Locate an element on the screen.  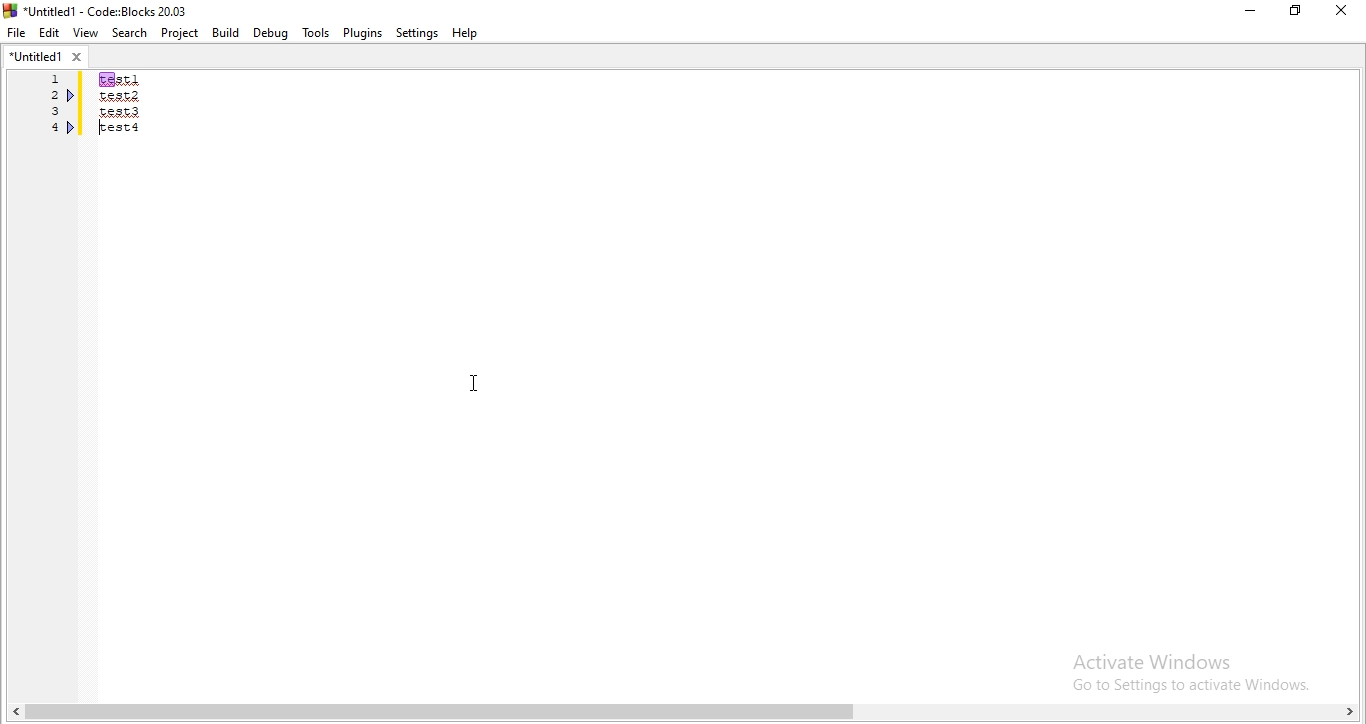
minimize is located at coordinates (1248, 12).